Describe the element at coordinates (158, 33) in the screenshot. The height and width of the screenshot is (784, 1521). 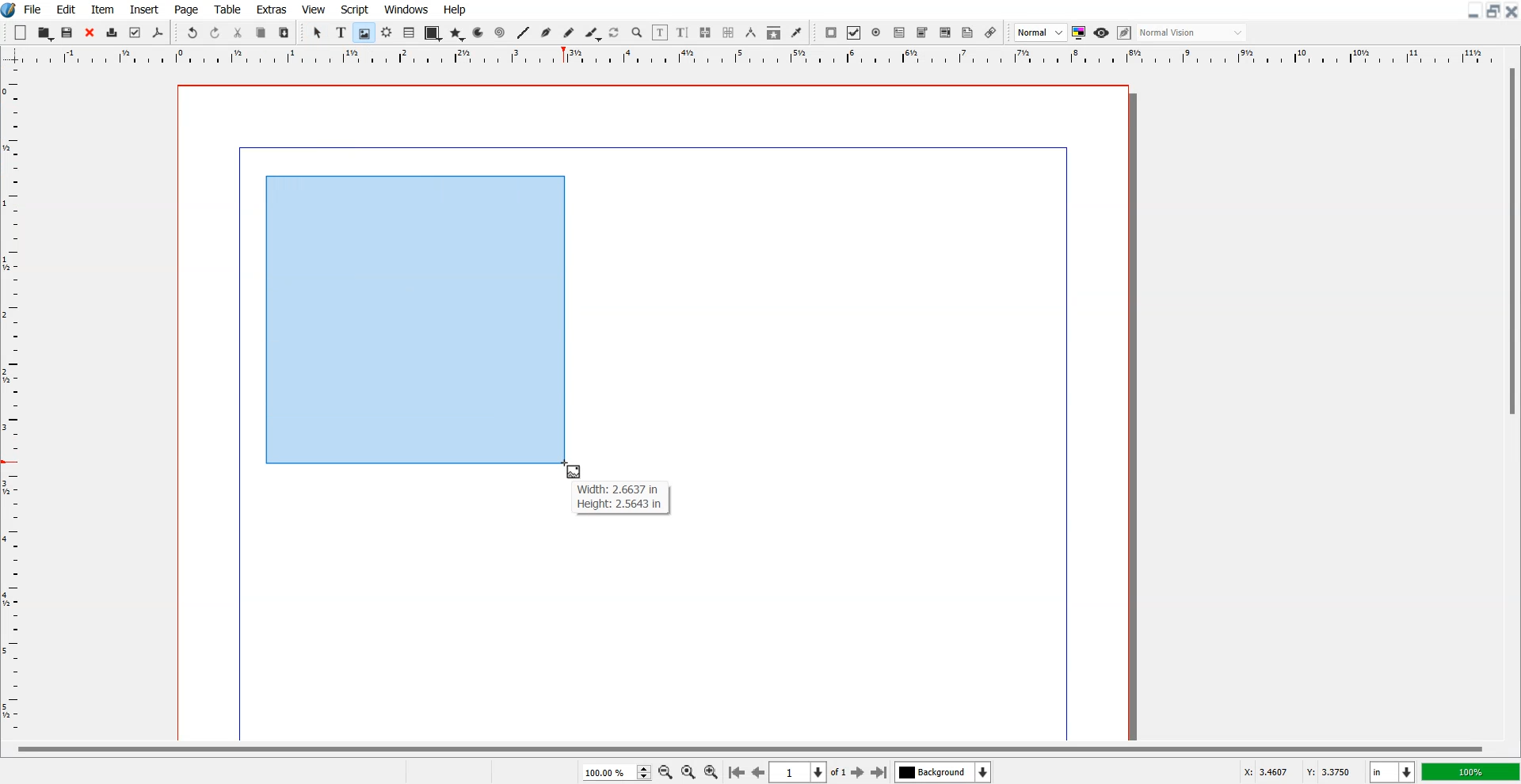
I see `Save As PDF` at that location.